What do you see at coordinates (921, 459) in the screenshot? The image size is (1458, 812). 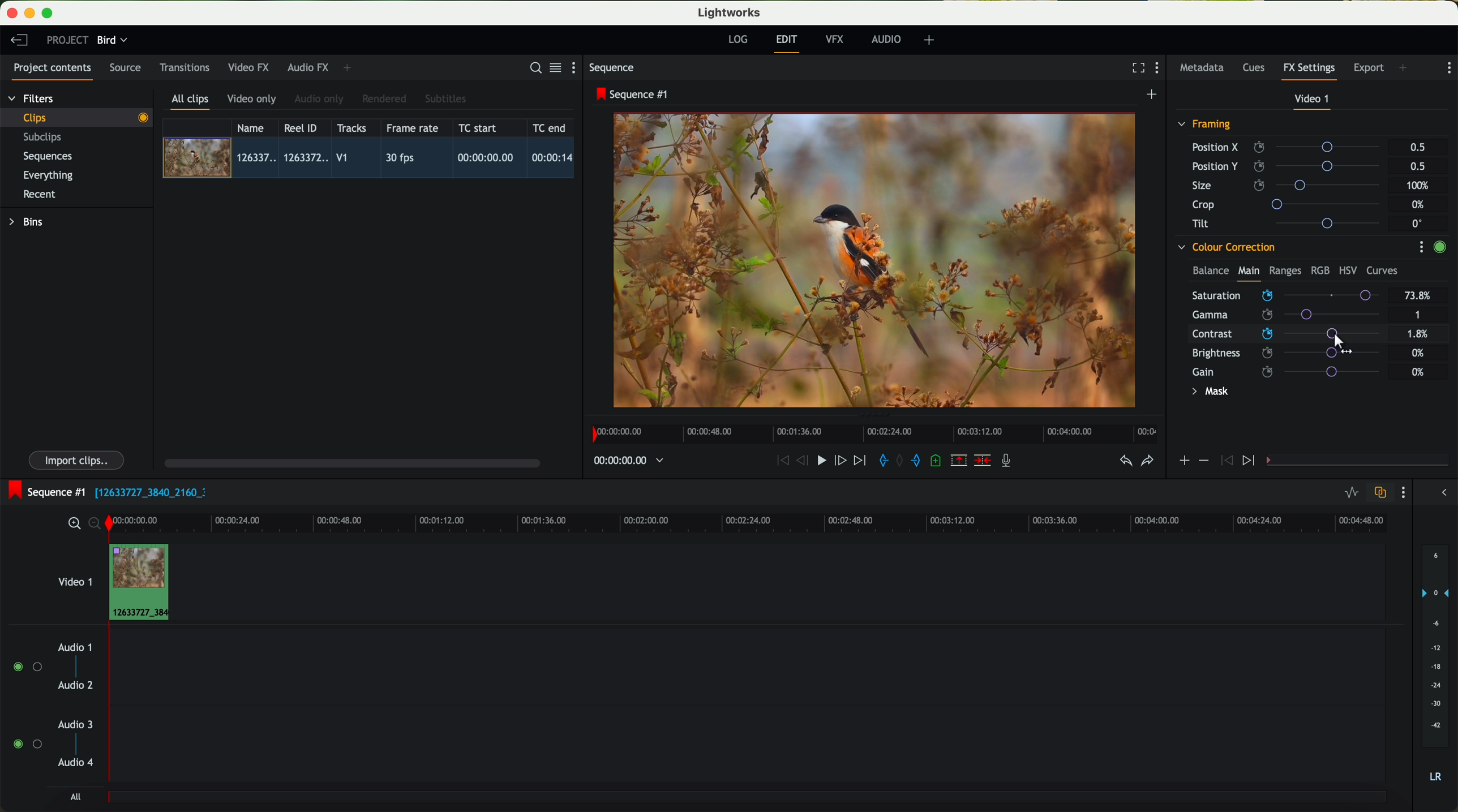 I see `add 'out' mark` at bounding box center [921, 459].